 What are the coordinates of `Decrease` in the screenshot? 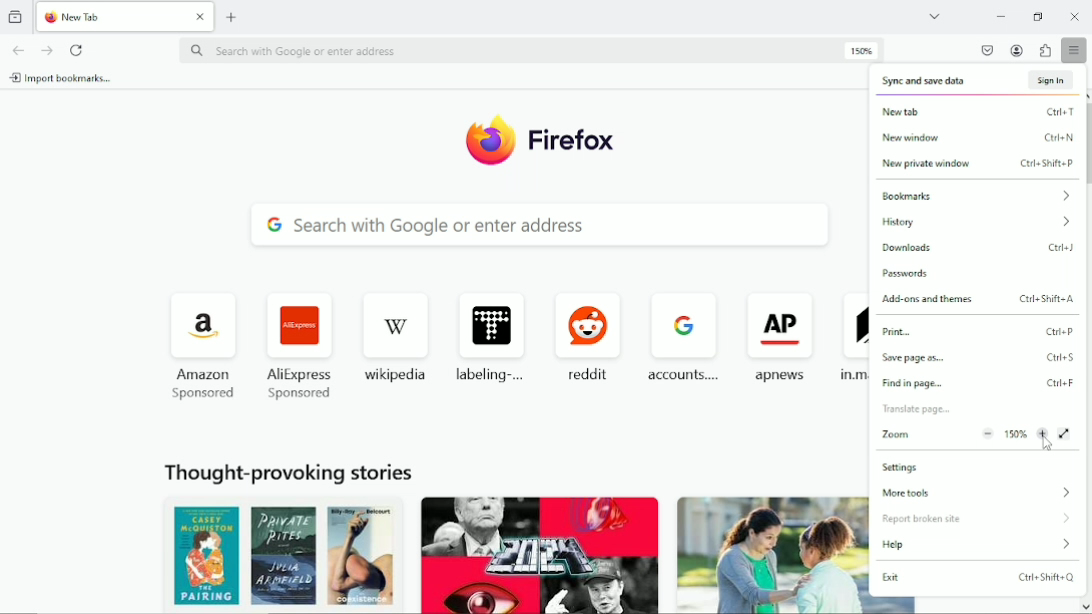 It's located at (986, 432).